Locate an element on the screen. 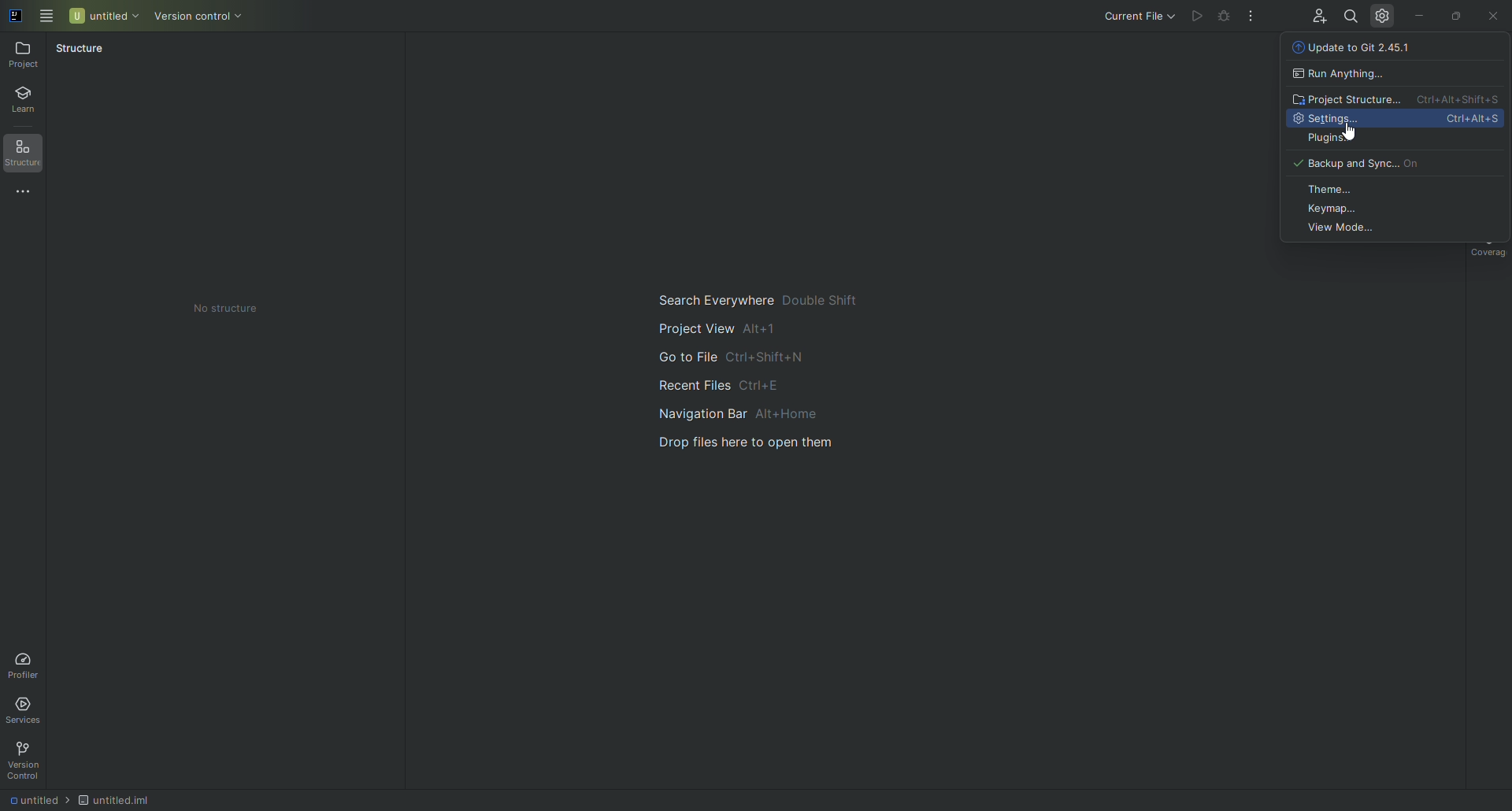 This screenshot has height=811, width=1512. Settings is located at coordinates (1392, 120).